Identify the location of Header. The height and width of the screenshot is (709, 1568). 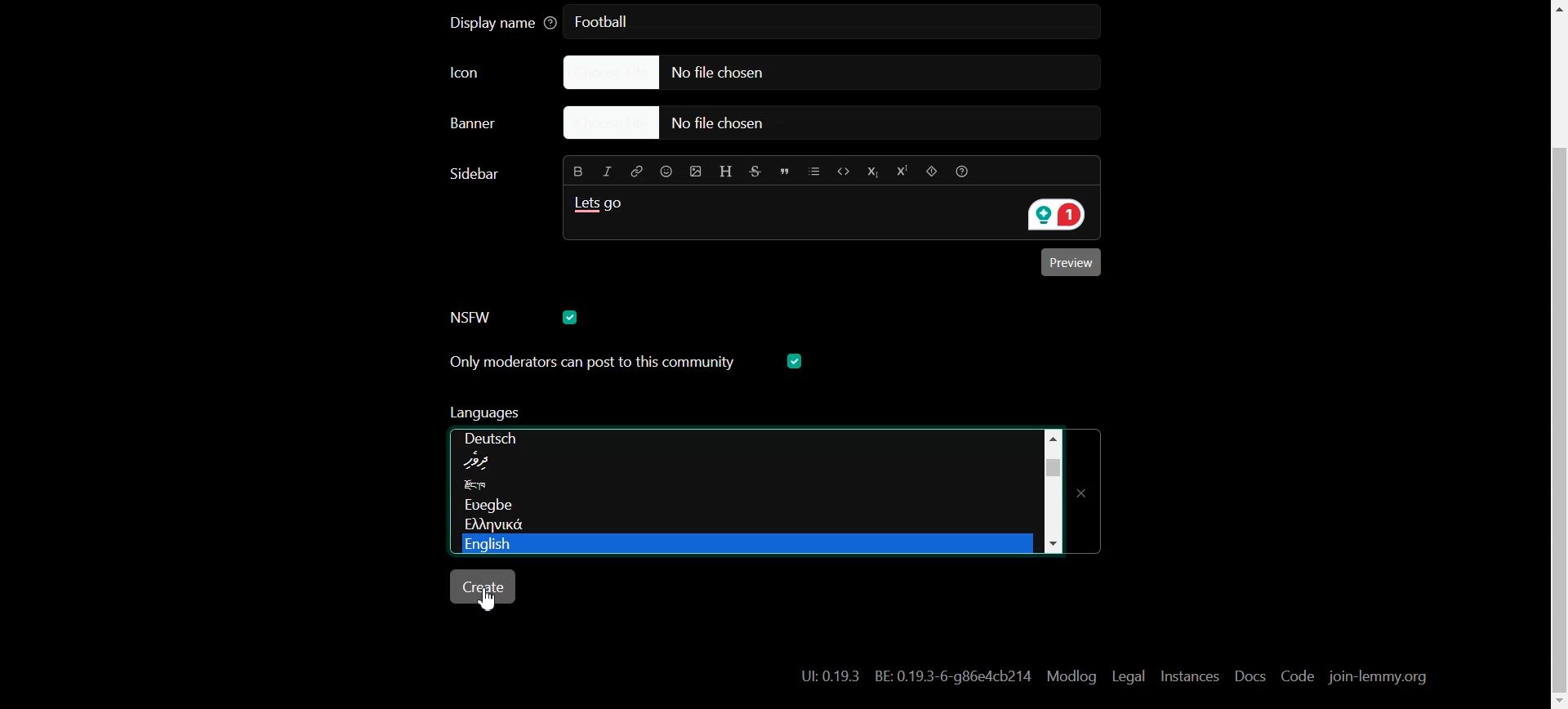
(726, 169).